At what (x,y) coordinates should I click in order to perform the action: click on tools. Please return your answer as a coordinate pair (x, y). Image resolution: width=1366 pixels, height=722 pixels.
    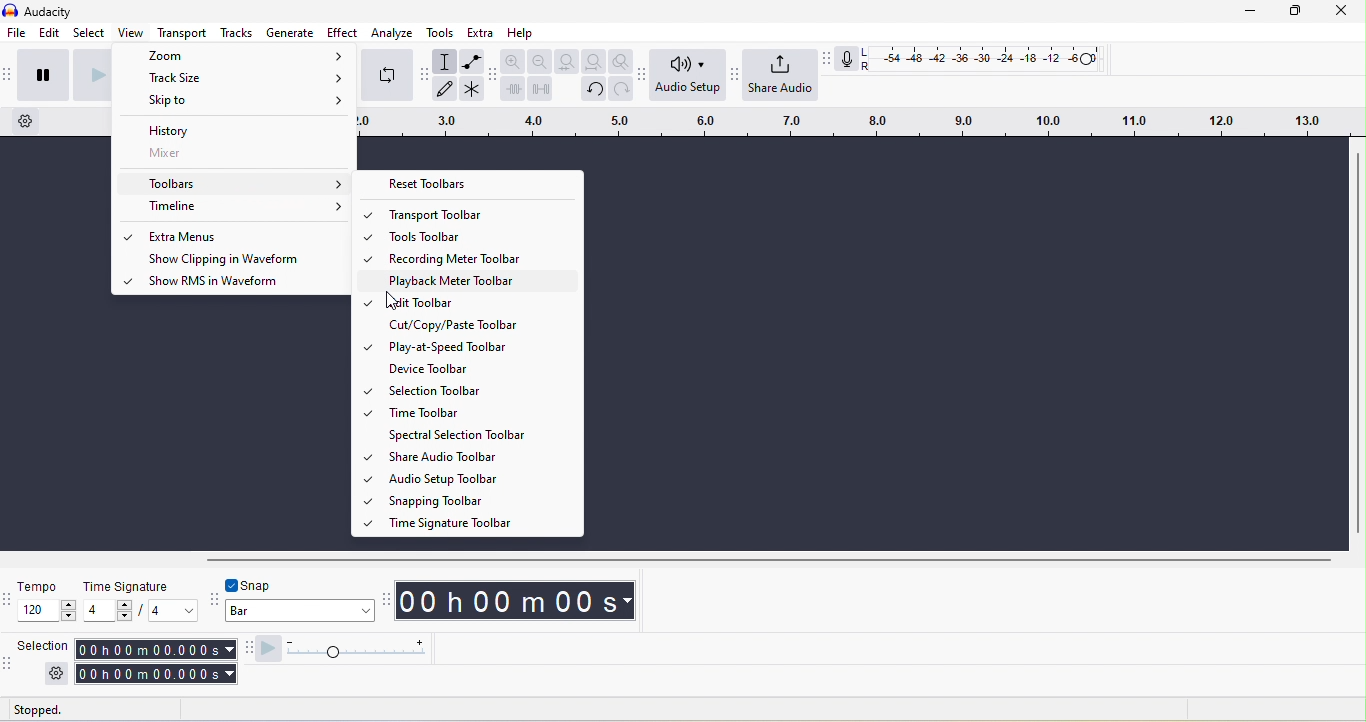
    Looking at the image, I should click on (440, 33).